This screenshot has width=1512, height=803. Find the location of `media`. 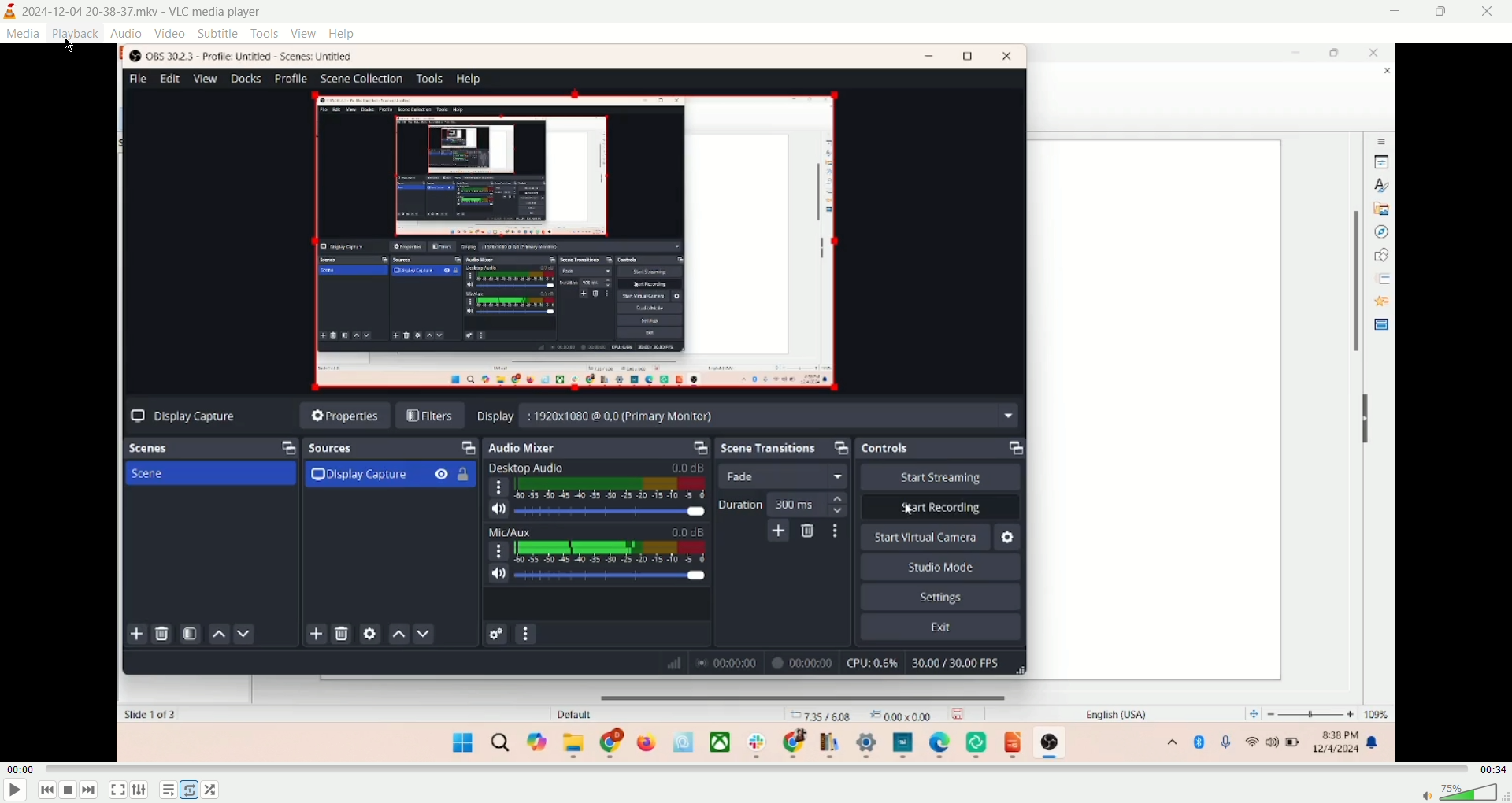

media is located at coordinates (23, 35).